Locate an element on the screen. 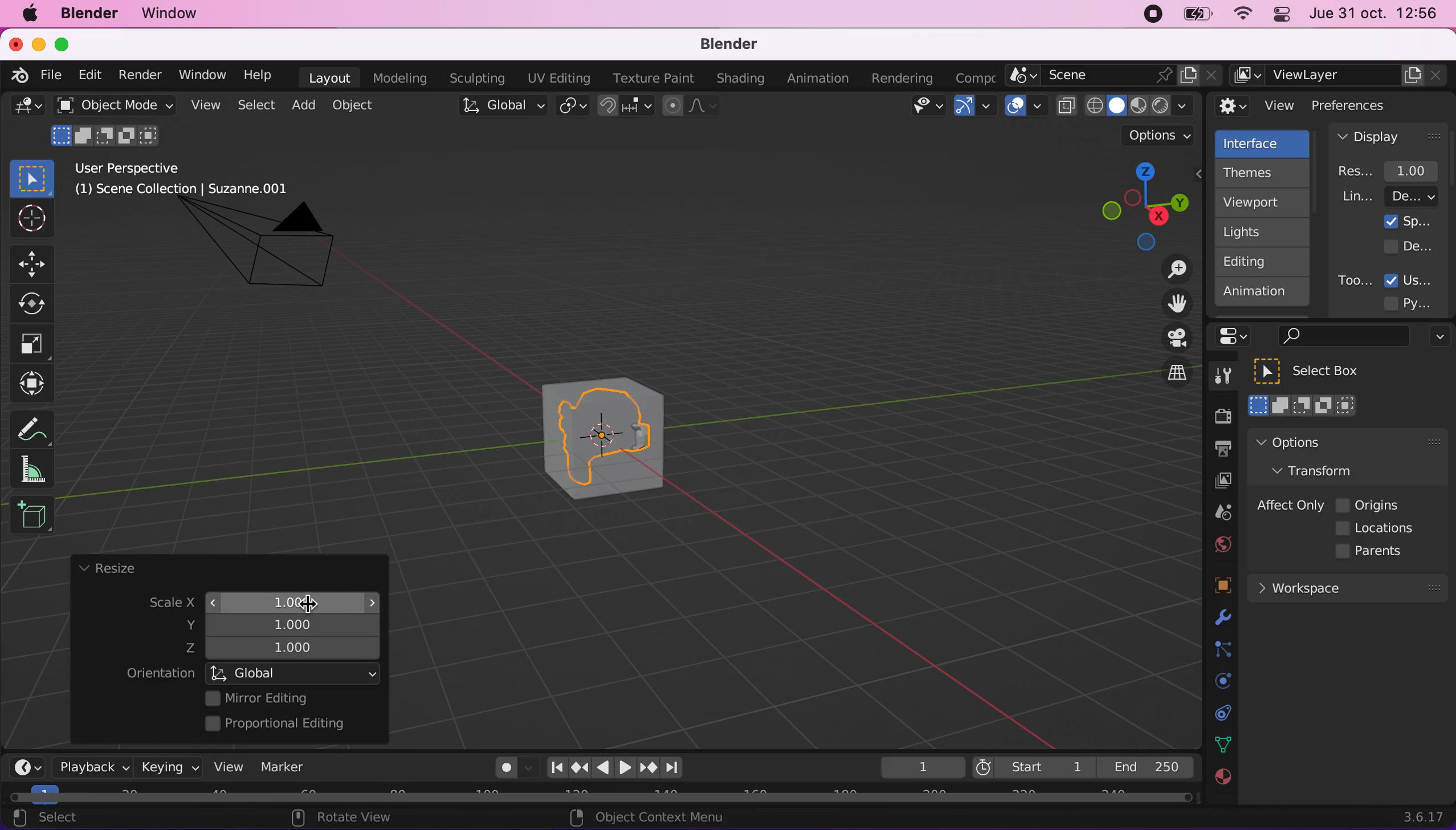 The width and height of the screenshot is (1456, 830). edit is located at coordinates (87, 75).